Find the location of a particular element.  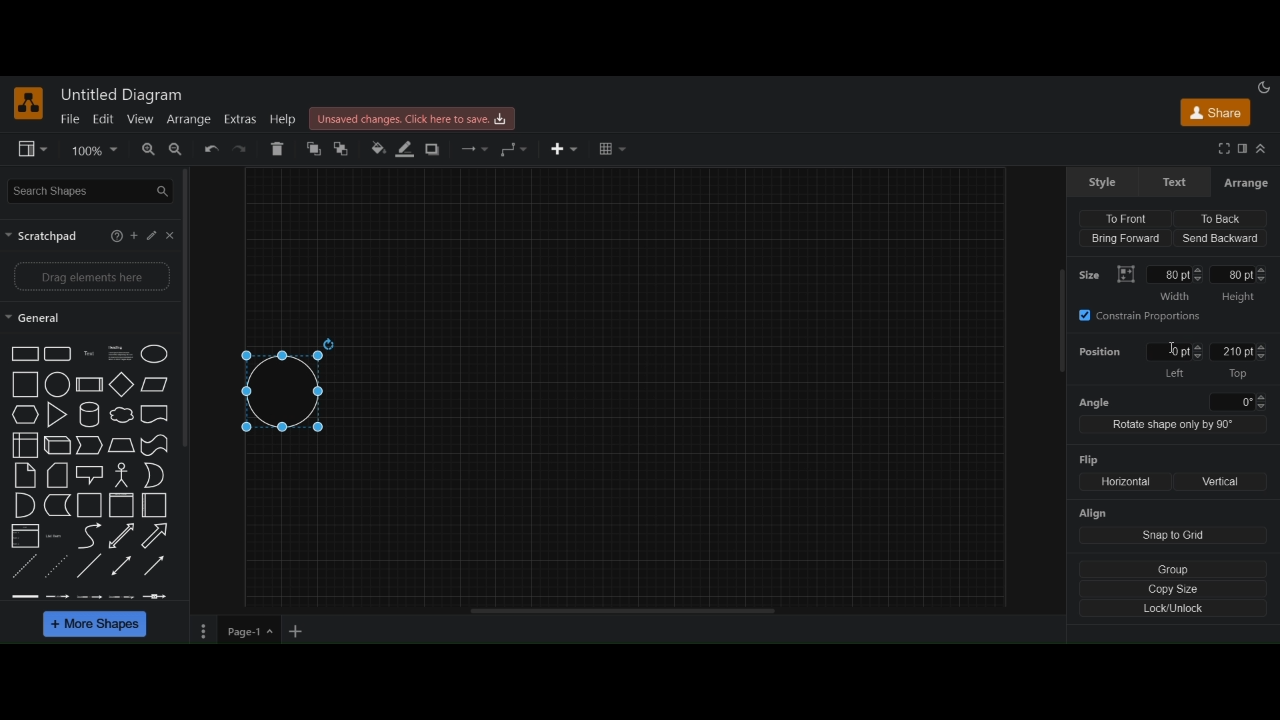

2 sided arrow is located at coordinates (123, 565).